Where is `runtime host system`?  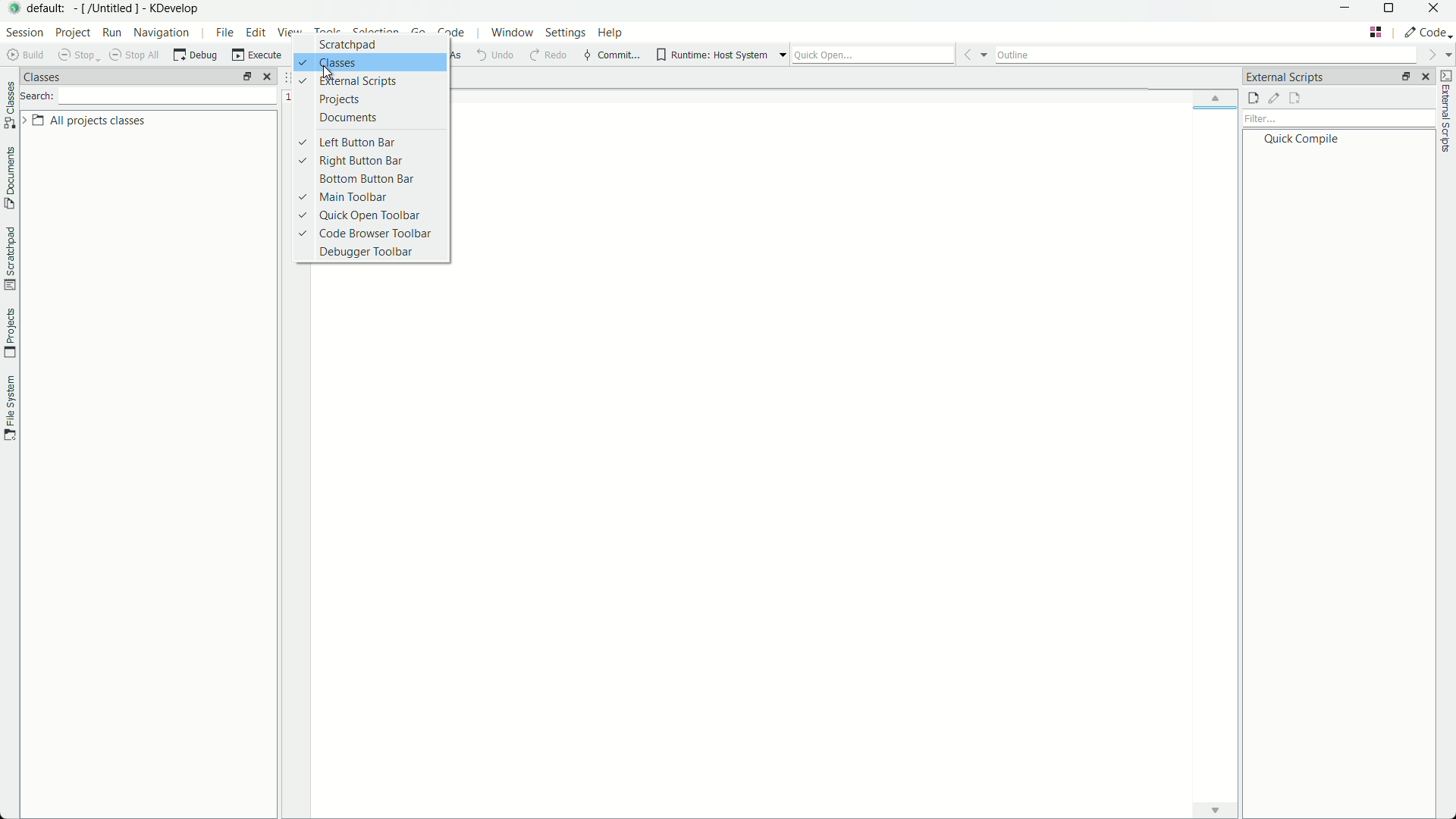 runtime host system is located at coordinates (721, 55).